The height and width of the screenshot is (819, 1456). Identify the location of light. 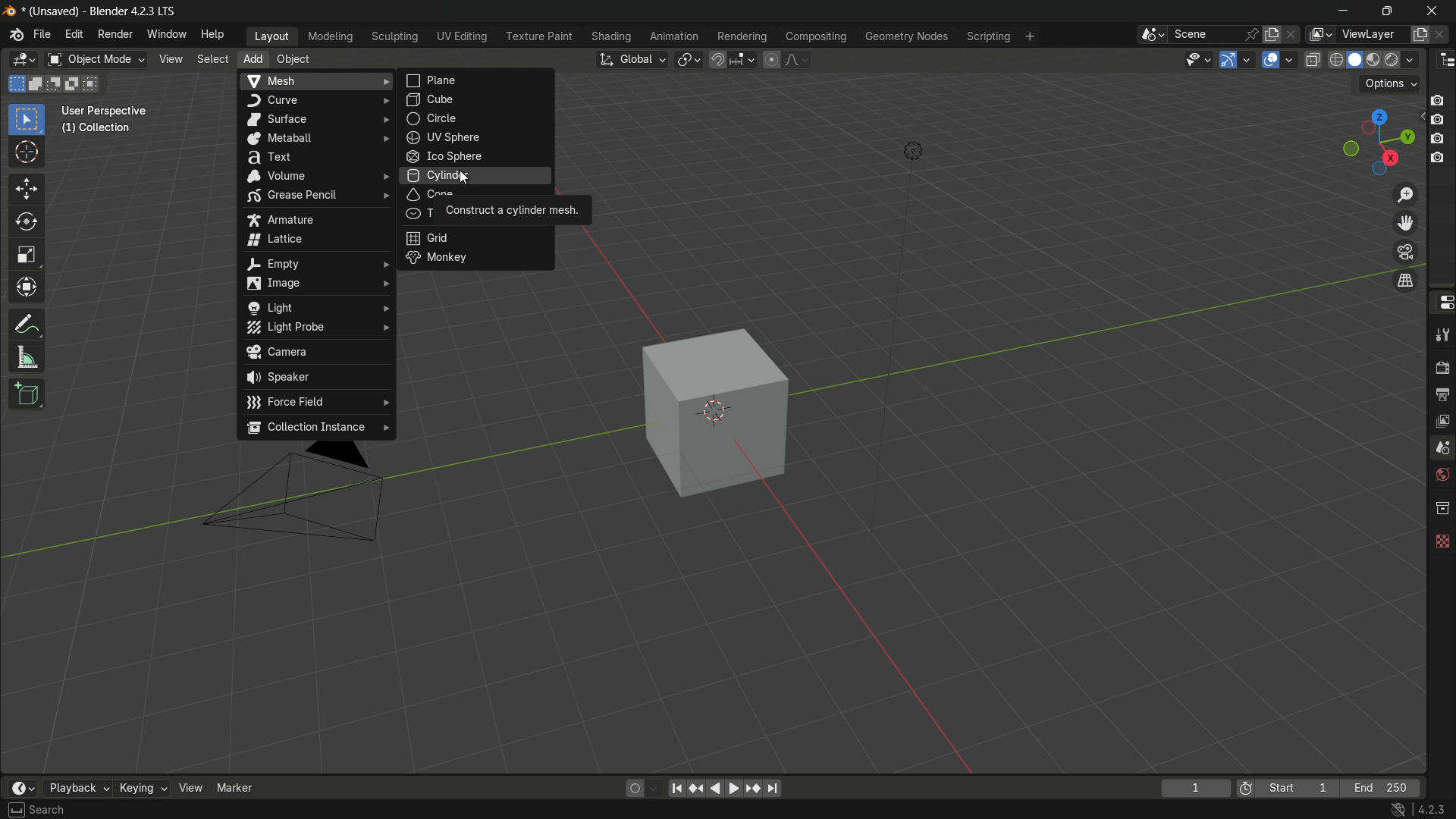
(908, 154).